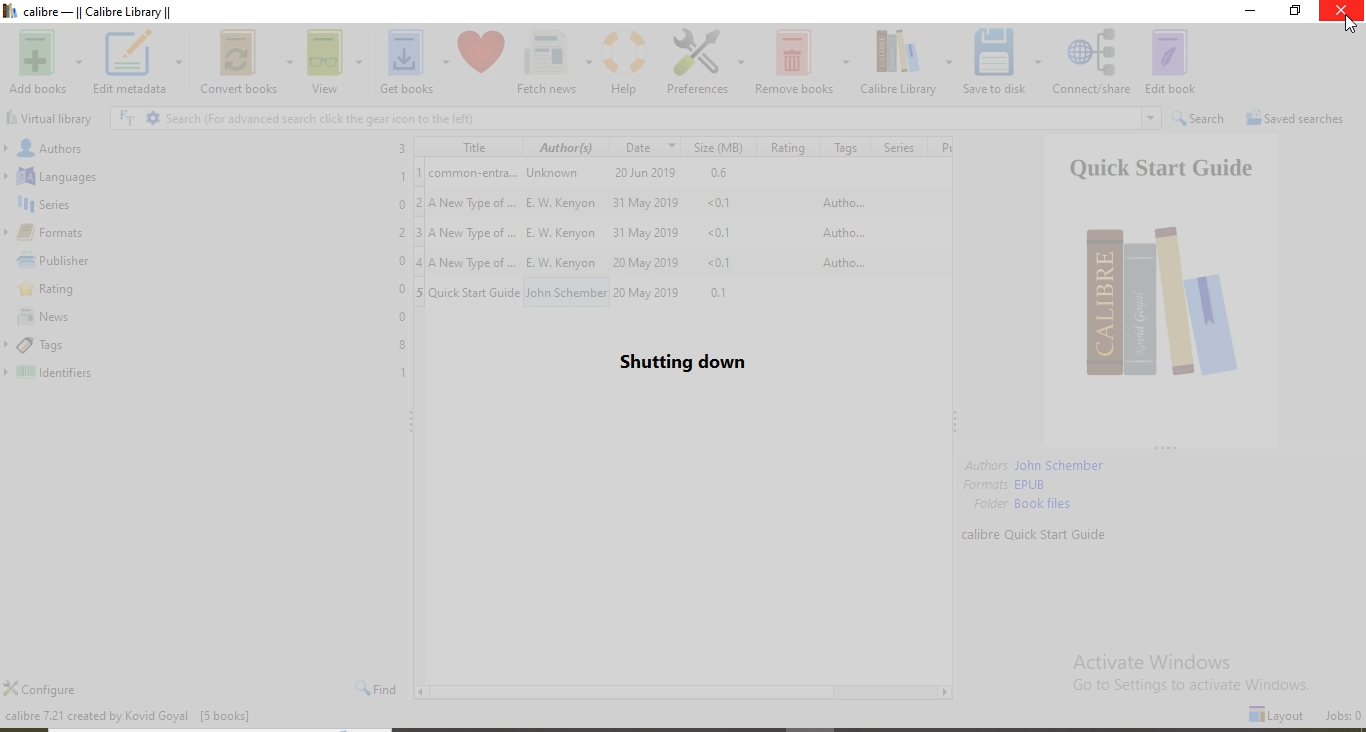  Describe the element at coordinates (1035, 466) in the screenshot. I see `Authors: John Schember` at that location.